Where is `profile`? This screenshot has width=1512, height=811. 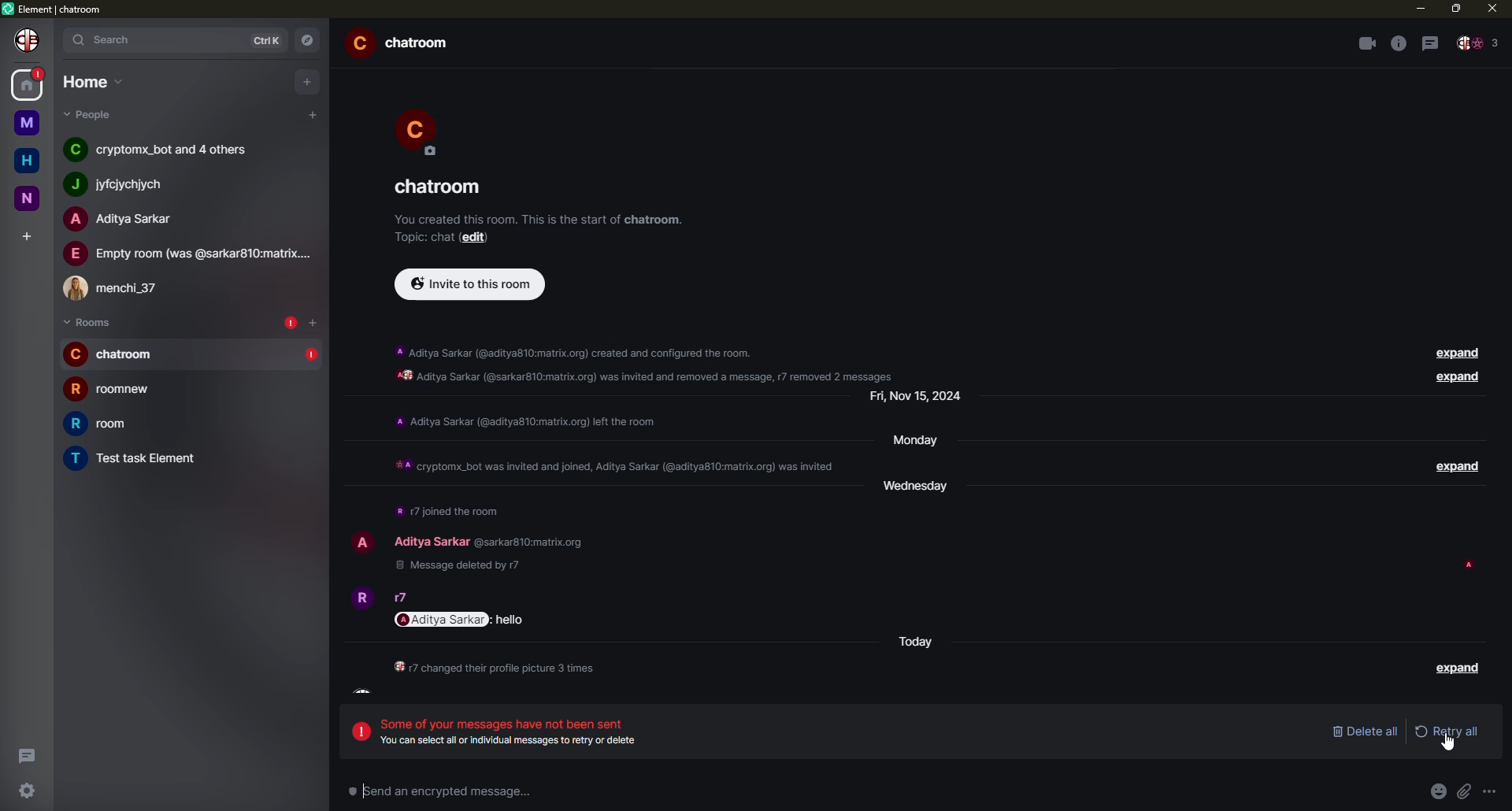
profile is located at coordinates (26, 41).